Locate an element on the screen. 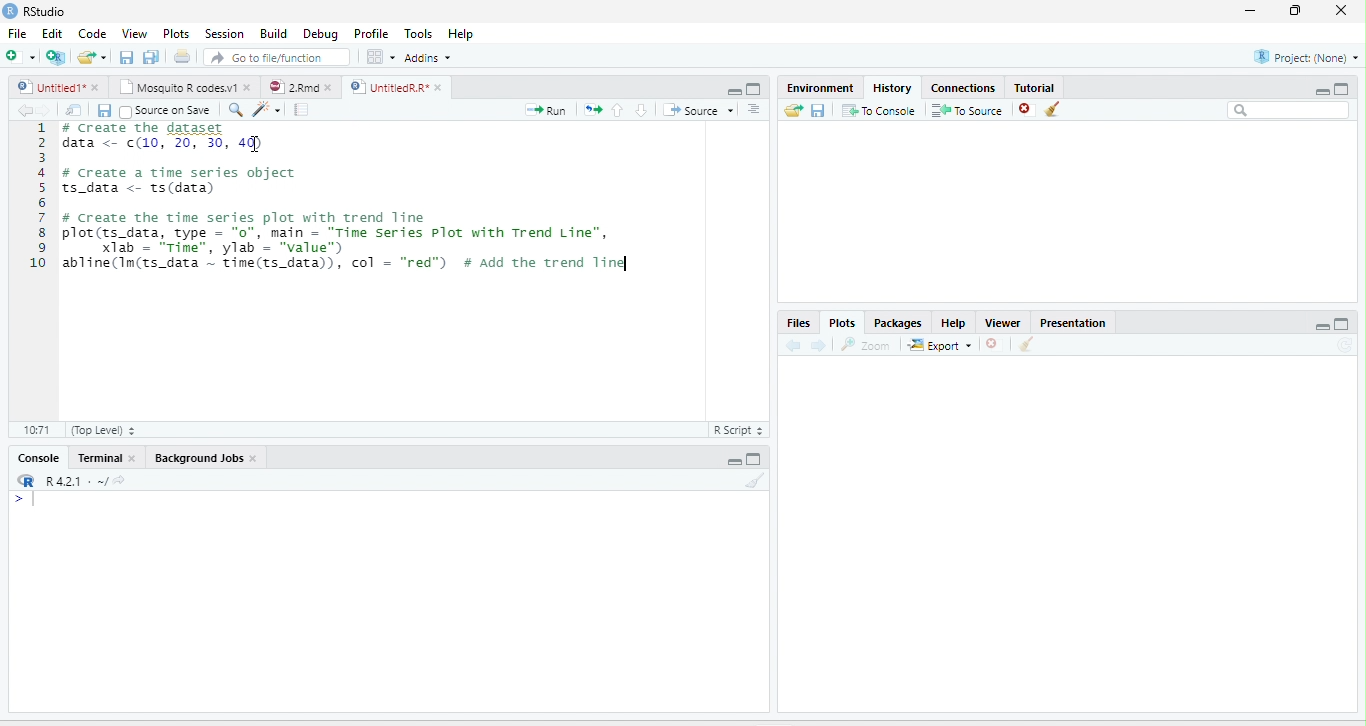  Save history into a file is located at coordinates (818, 110).